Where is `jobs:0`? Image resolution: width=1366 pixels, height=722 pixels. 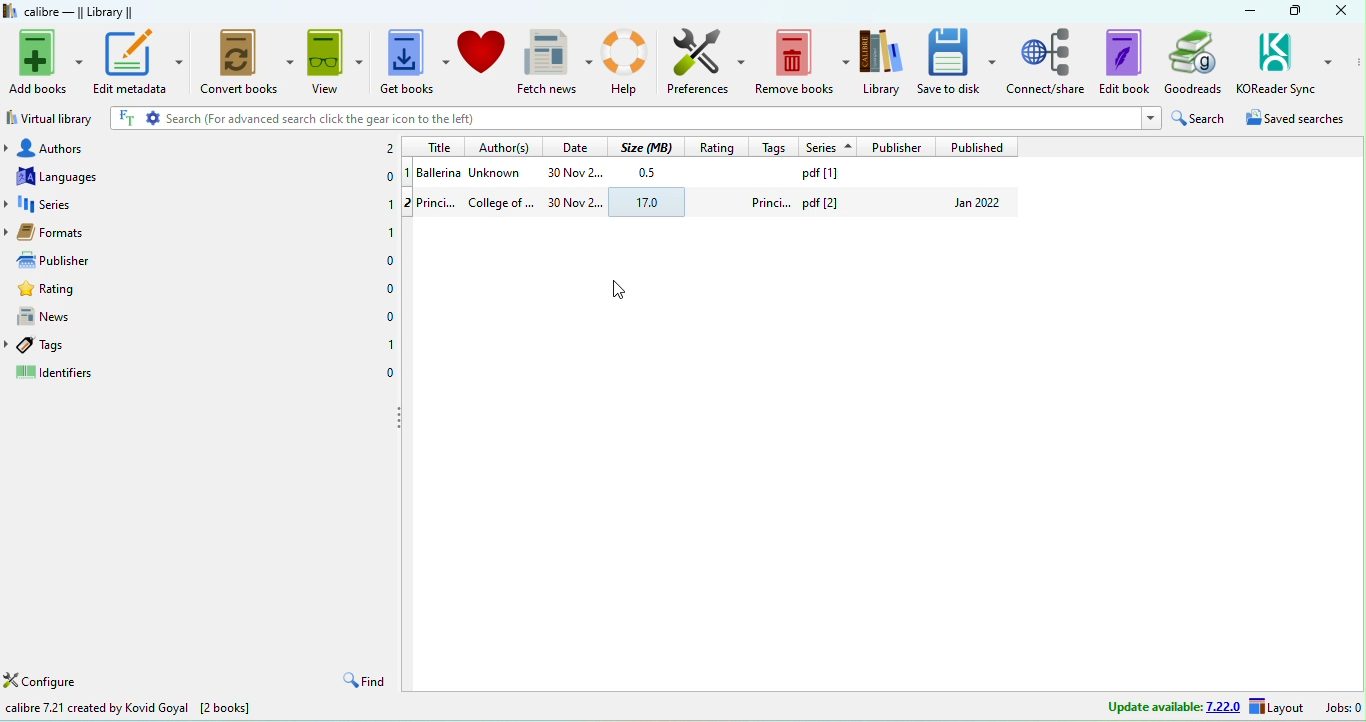
jobs:0 is located at coordinates (1345, 705).